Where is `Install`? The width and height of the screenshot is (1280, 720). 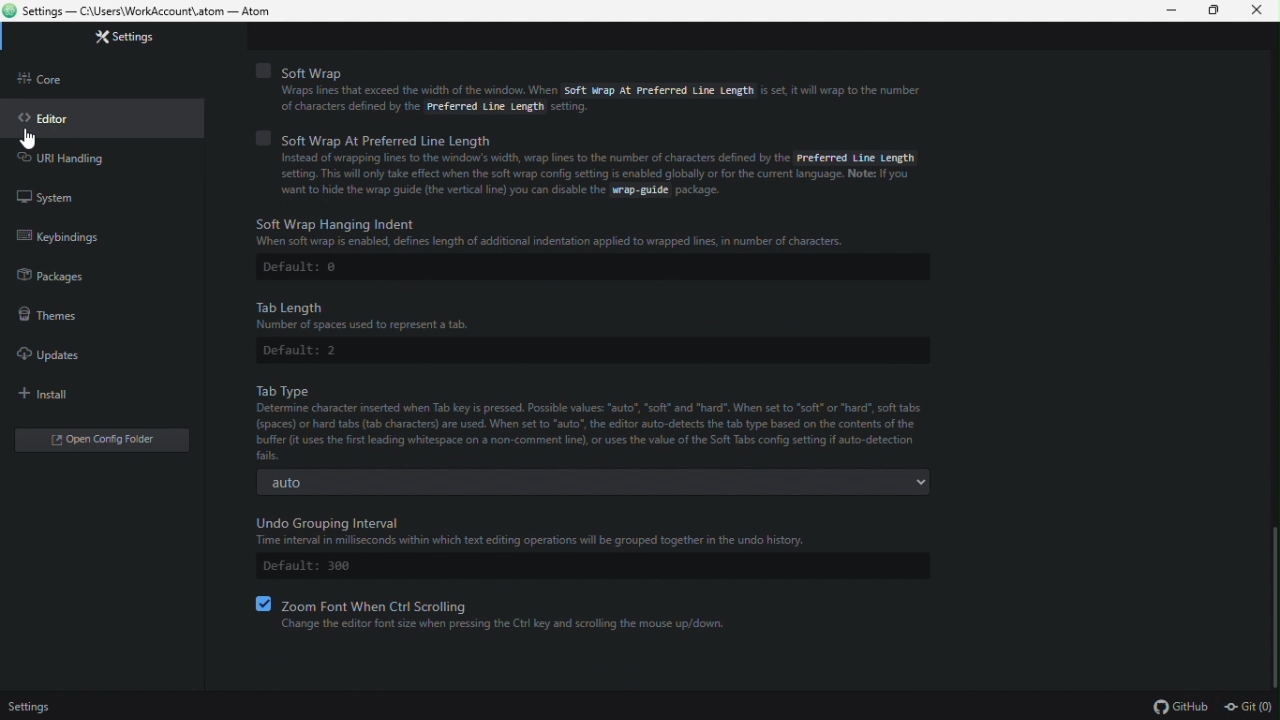
Install is located at coordinates (71, 394).